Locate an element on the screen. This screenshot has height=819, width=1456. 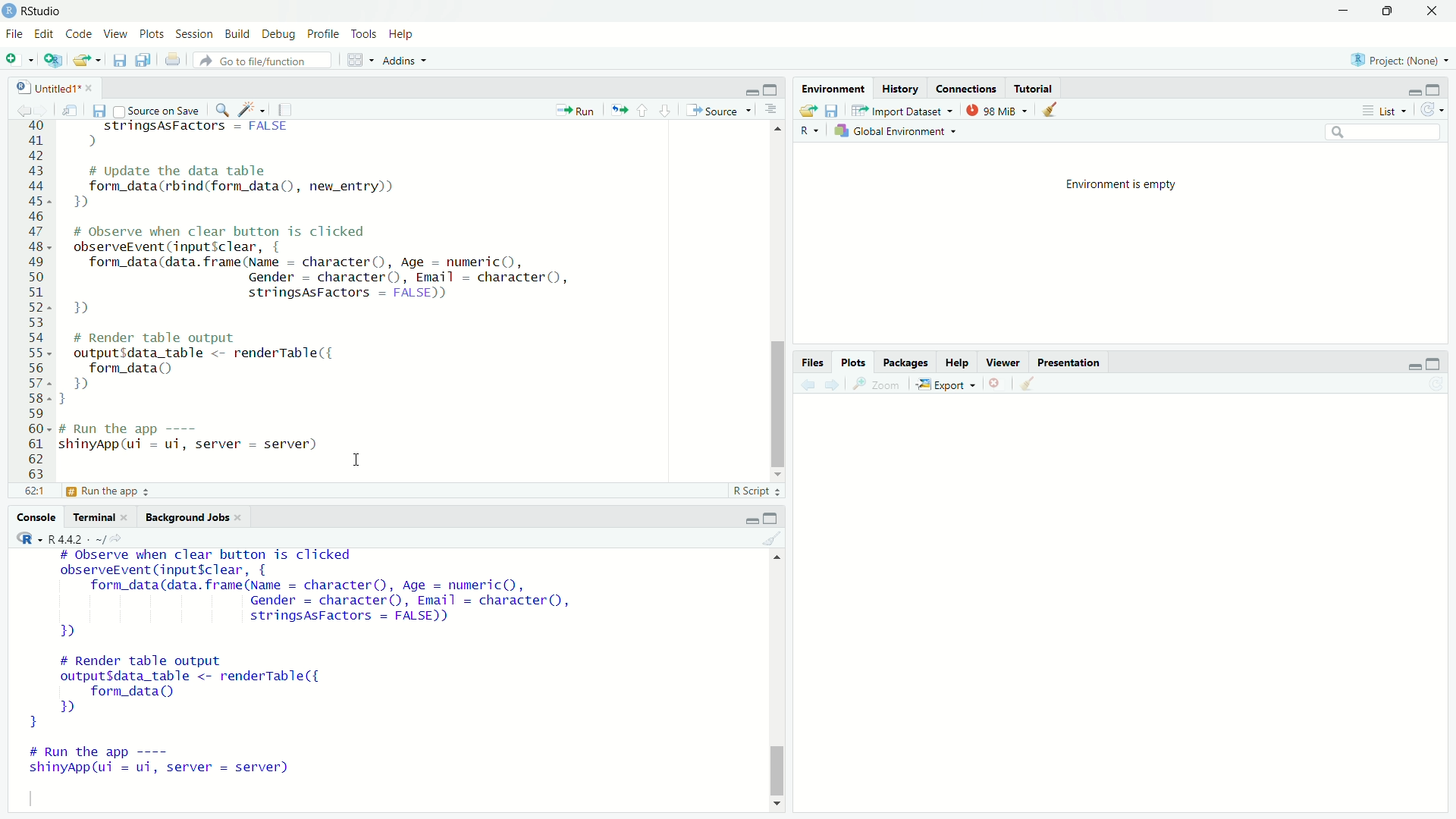
compile report is located at coordinates (288, 109).